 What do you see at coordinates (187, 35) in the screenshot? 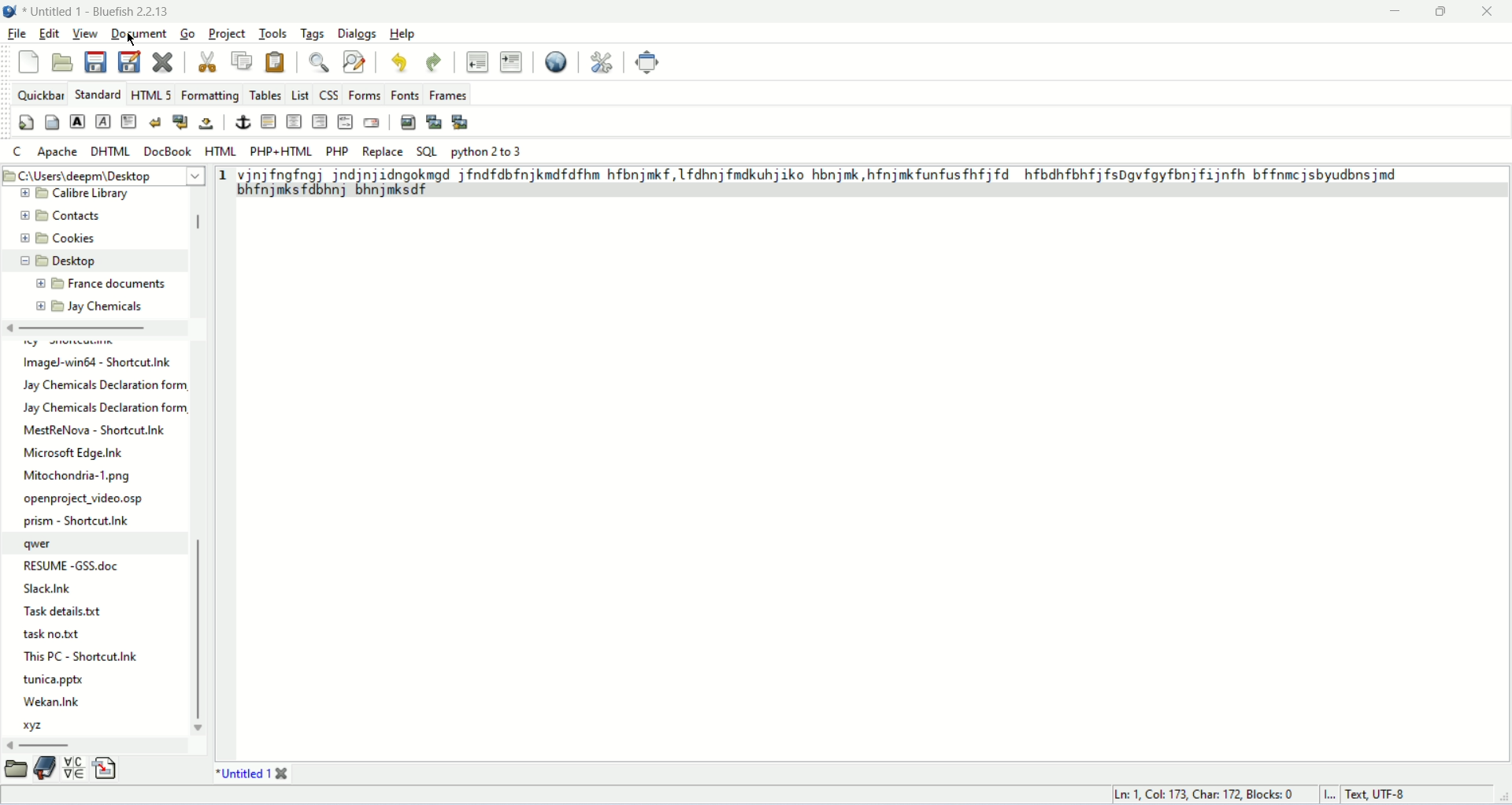
I see `go` at bounding box center [187, 35].